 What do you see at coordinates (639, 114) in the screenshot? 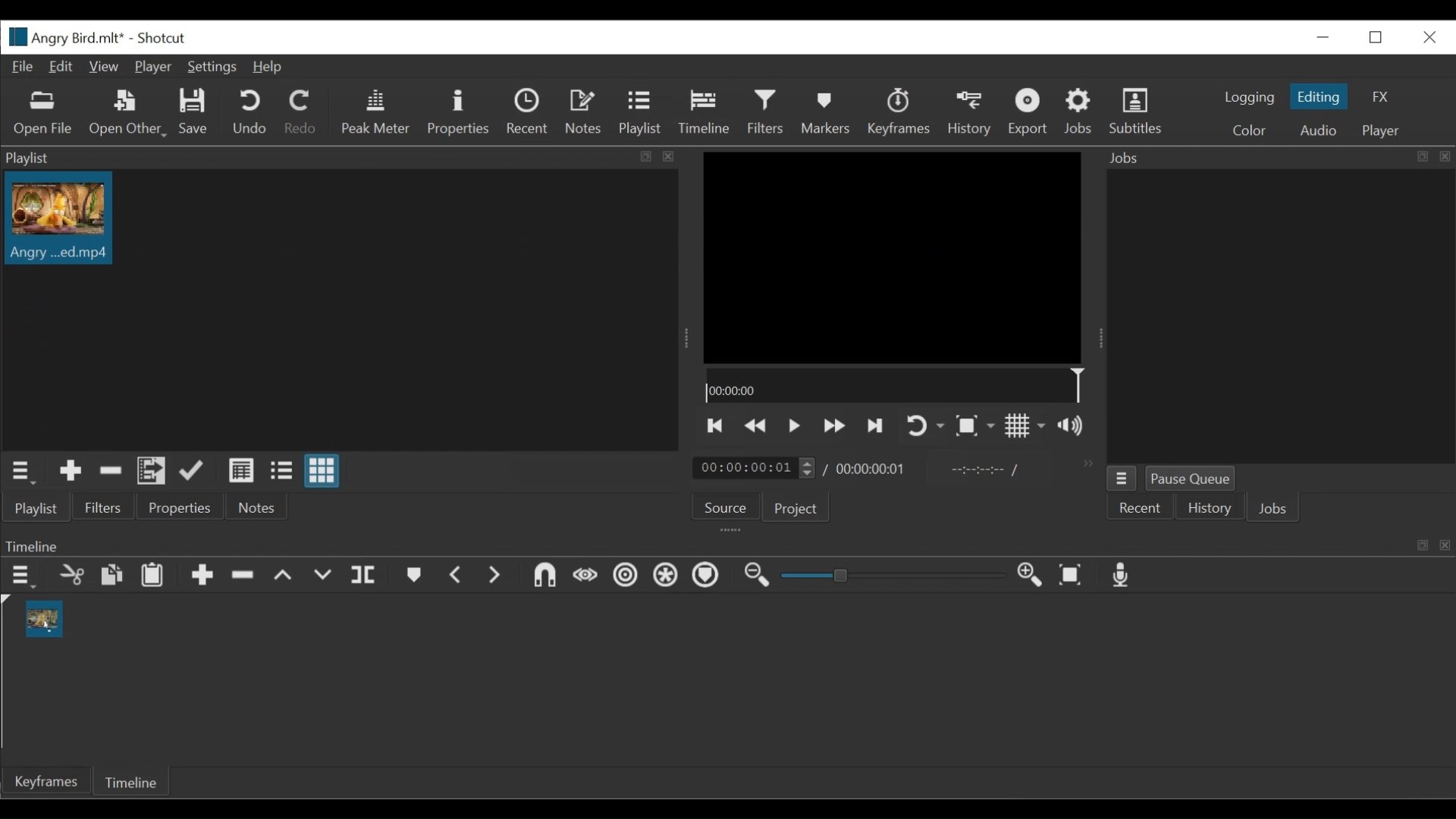
I see `Playlist` at bounding box center [639, 114].